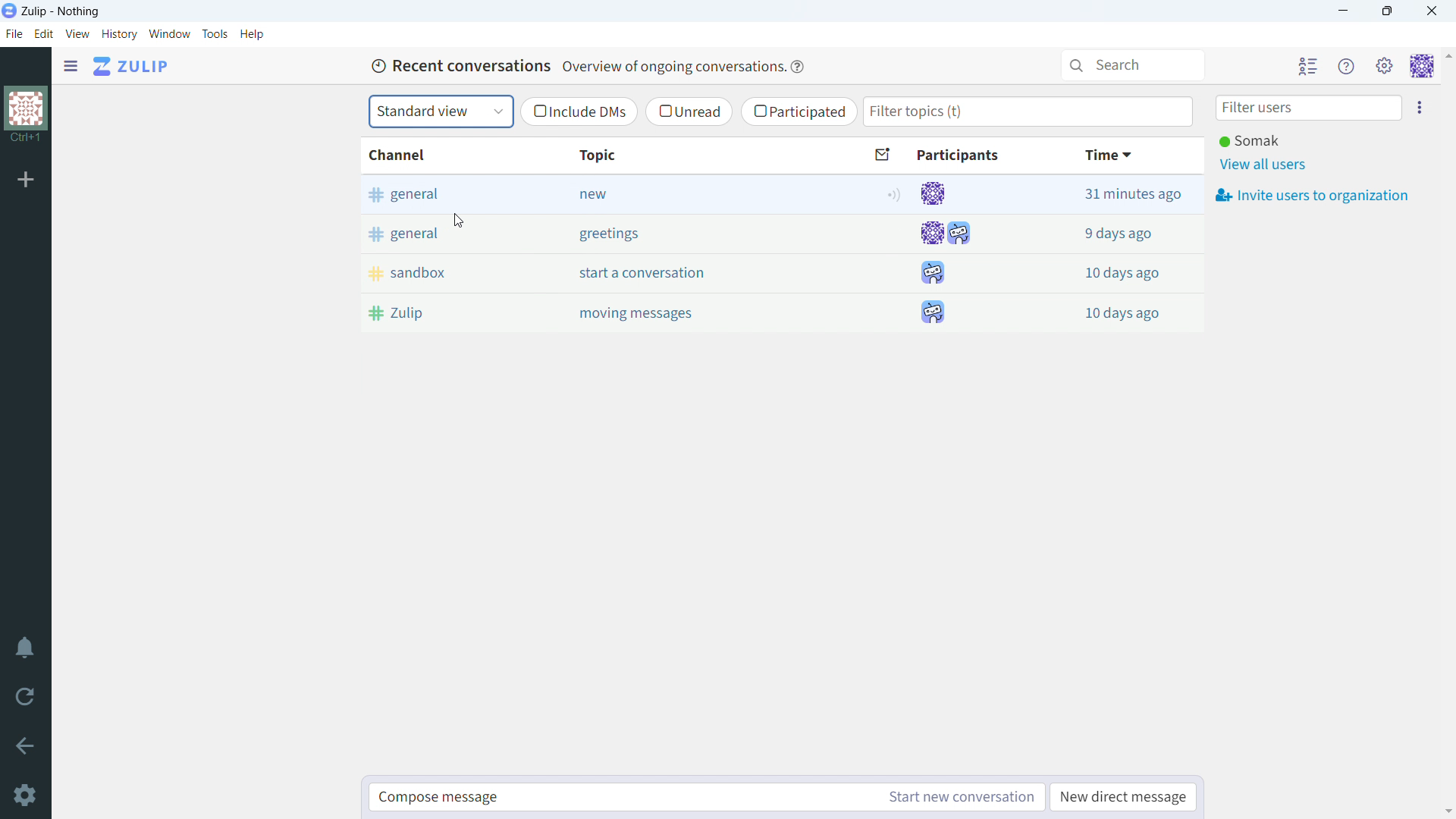 The width and height of the screenshot is (1456, 819). Describe the element at coordinates (1447, 55) in the screenshot. I see `scroll up` at that location.